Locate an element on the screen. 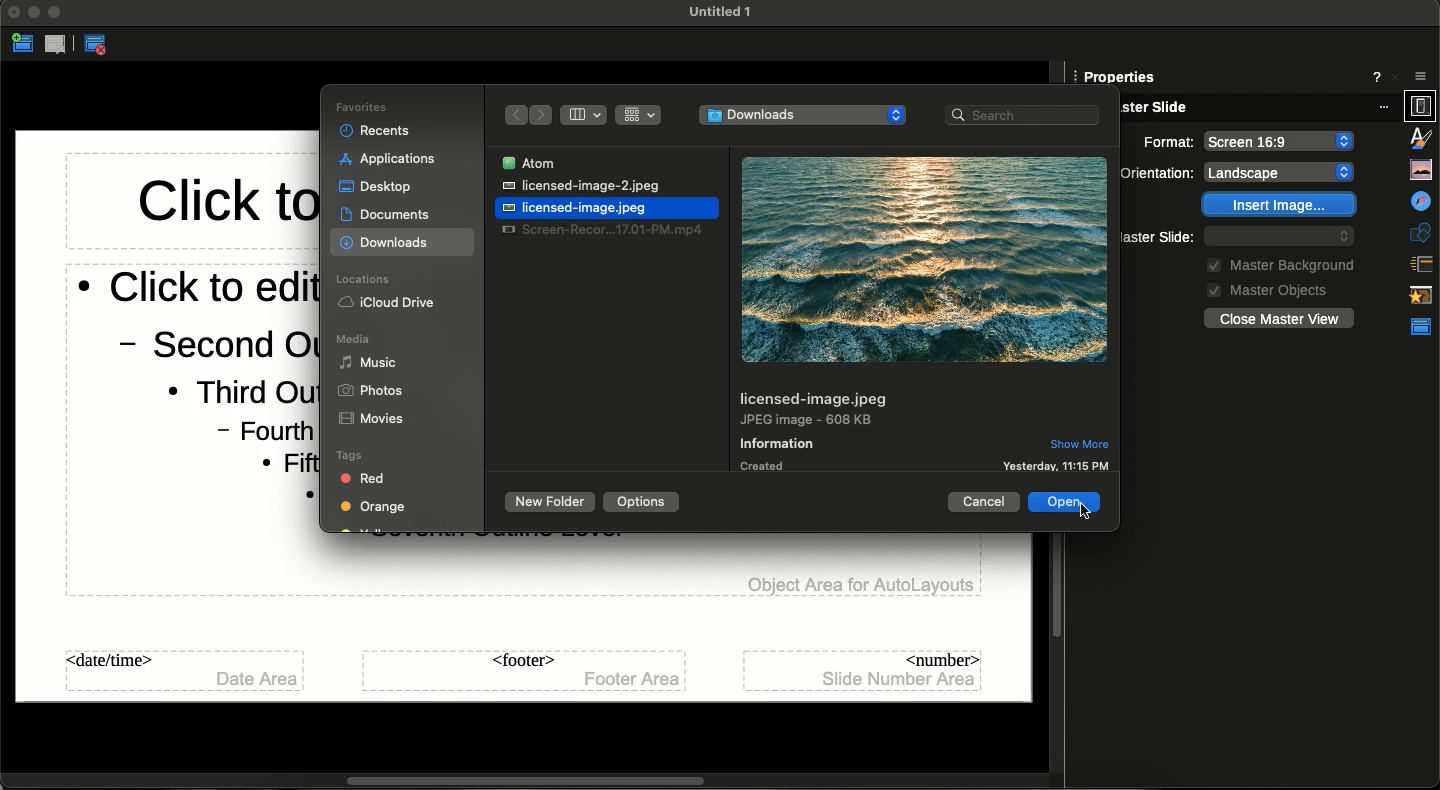  None is located at coordinates (1287, 171).